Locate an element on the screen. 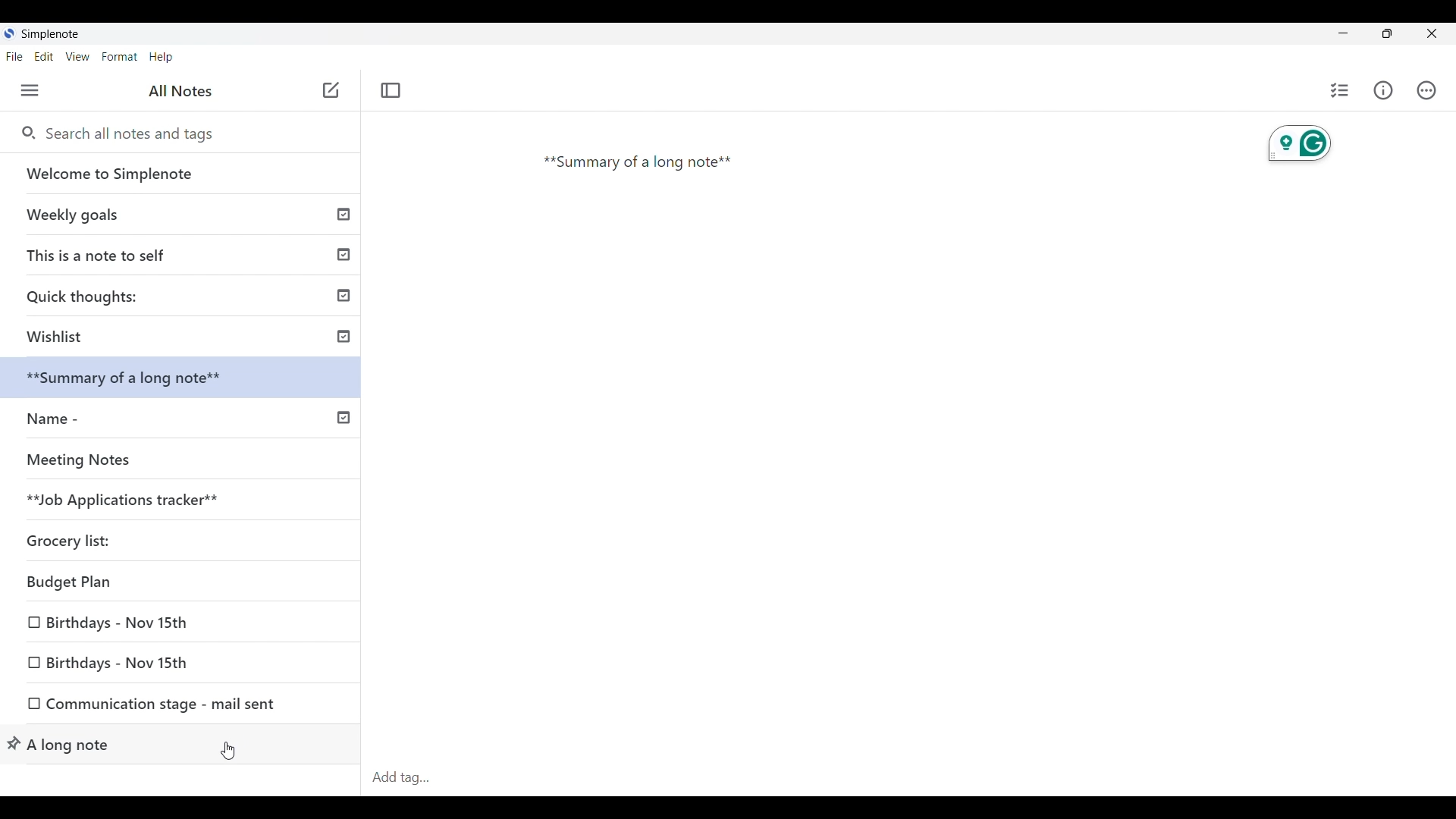 Image resolution: width=1456 pixels, height=819 pixels. Quick thoughts: is located at coordinates (187, 295).